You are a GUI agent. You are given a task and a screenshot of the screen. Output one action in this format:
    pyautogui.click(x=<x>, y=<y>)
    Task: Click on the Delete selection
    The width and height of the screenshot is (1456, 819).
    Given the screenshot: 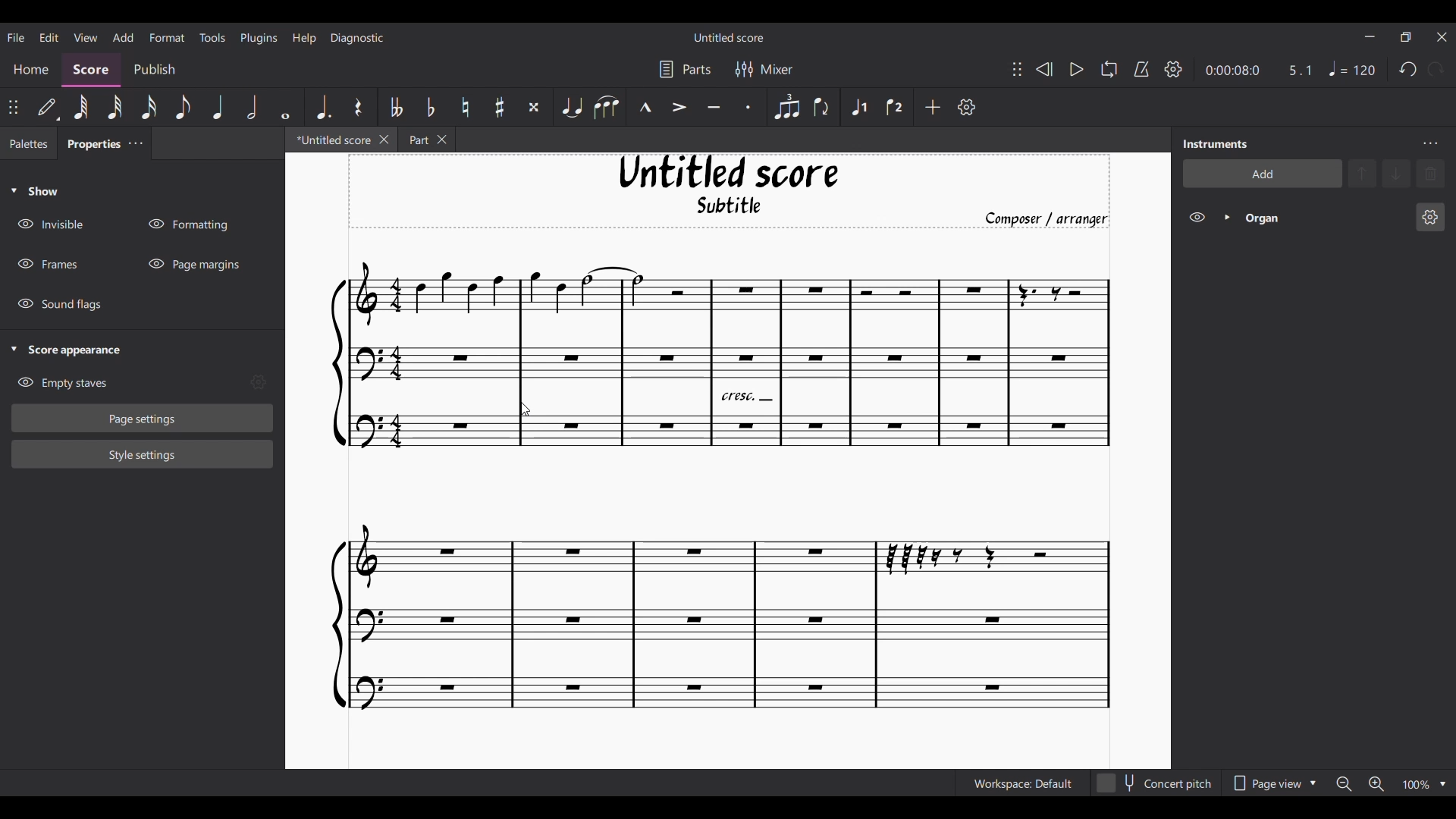 What is the action you would take?
    pyautogui.click(x=1431, y=173)
    